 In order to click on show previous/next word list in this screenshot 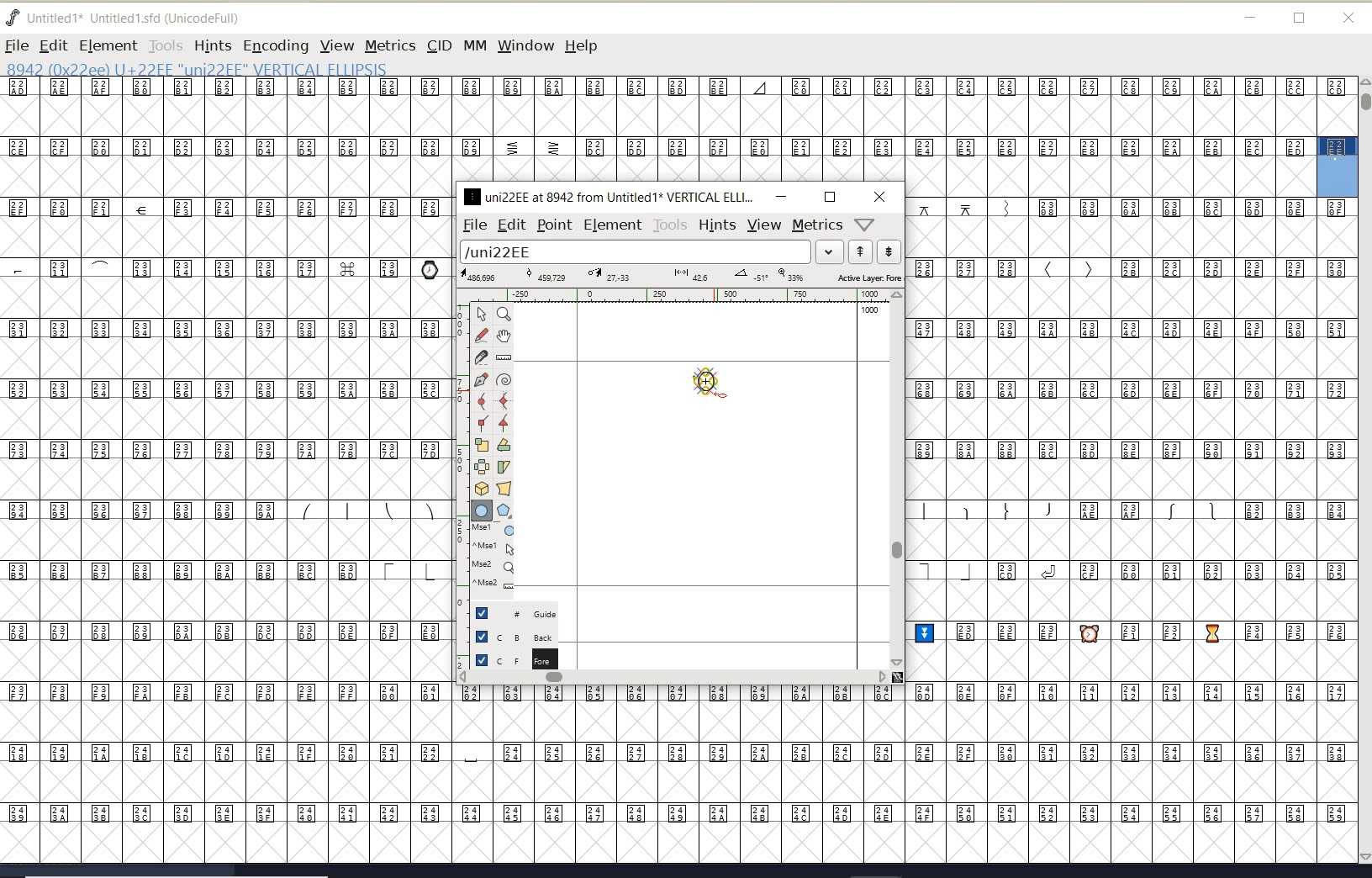, I will do `click(876, 253)`.